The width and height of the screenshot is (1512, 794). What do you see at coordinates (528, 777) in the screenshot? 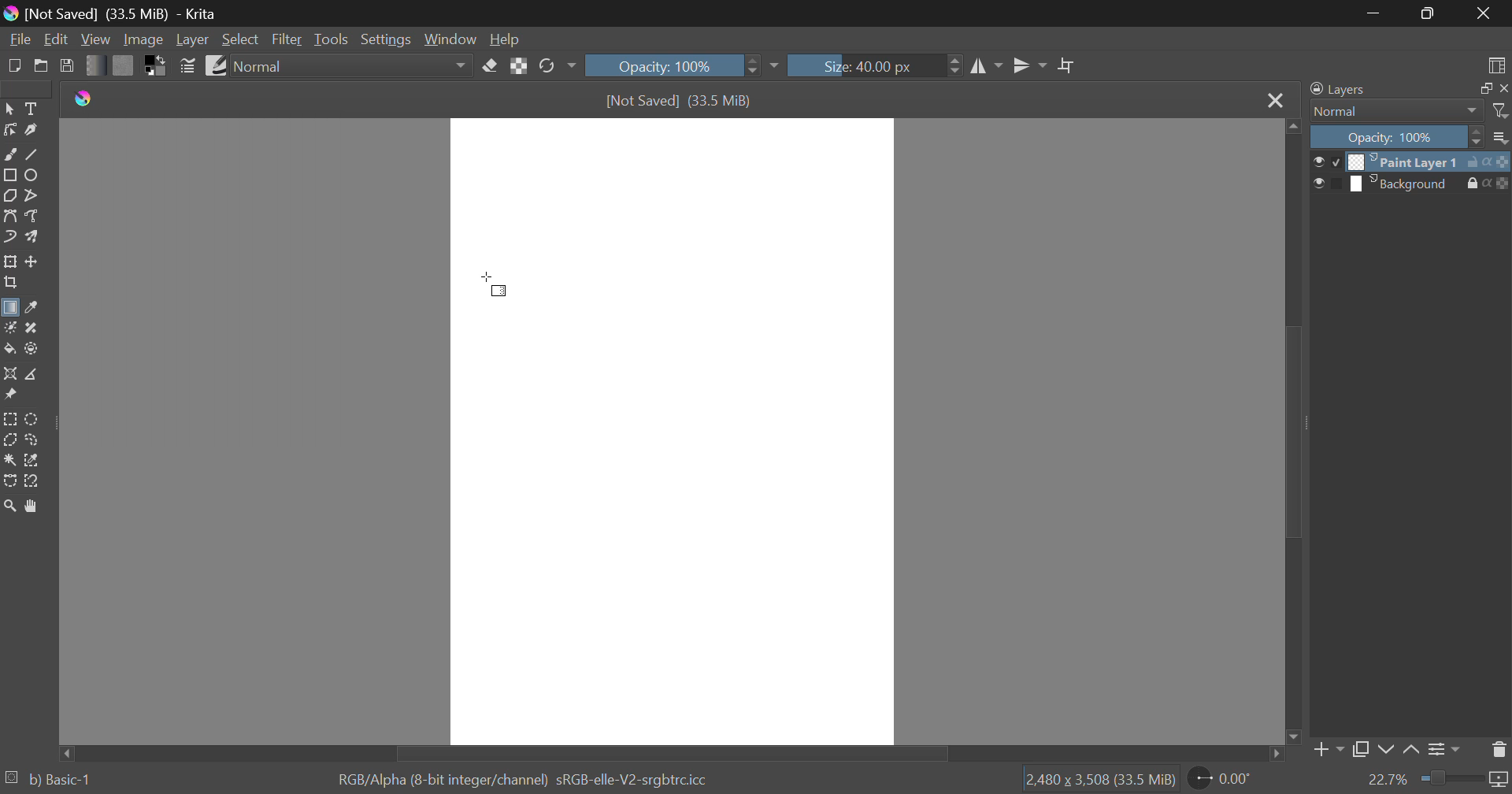
I see `RGB/Alpha (8-bit integer/channel) sRGB-elle-V2-srgbtrc.icc` at bounding box center [528, 777].